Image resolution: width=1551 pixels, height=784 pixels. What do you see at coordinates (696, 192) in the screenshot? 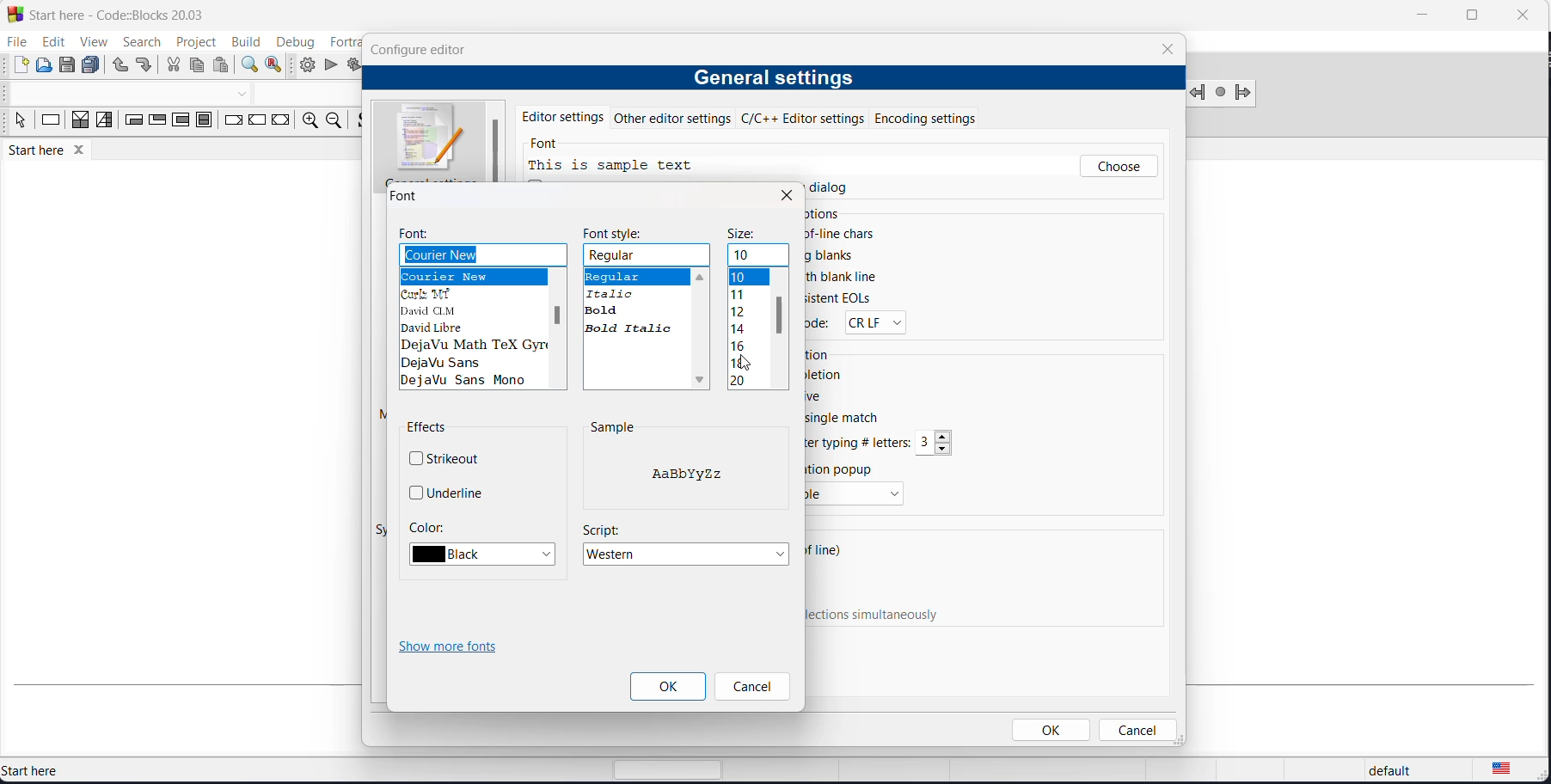
I see `reset zoom checkbox` at bounding box center [696, 192].